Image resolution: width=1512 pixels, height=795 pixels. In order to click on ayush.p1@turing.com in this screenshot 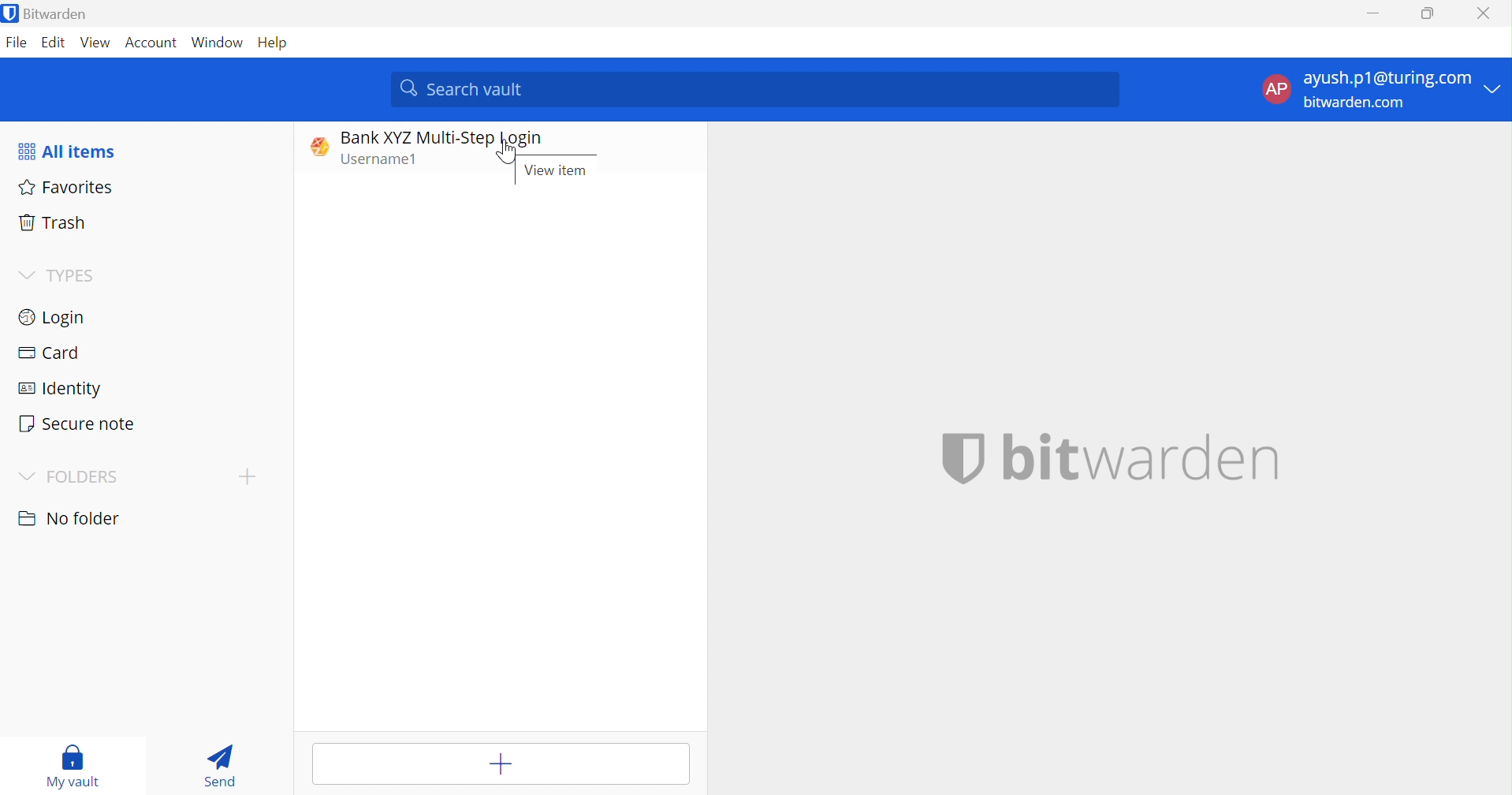, I will do `click(1387, 80)`.